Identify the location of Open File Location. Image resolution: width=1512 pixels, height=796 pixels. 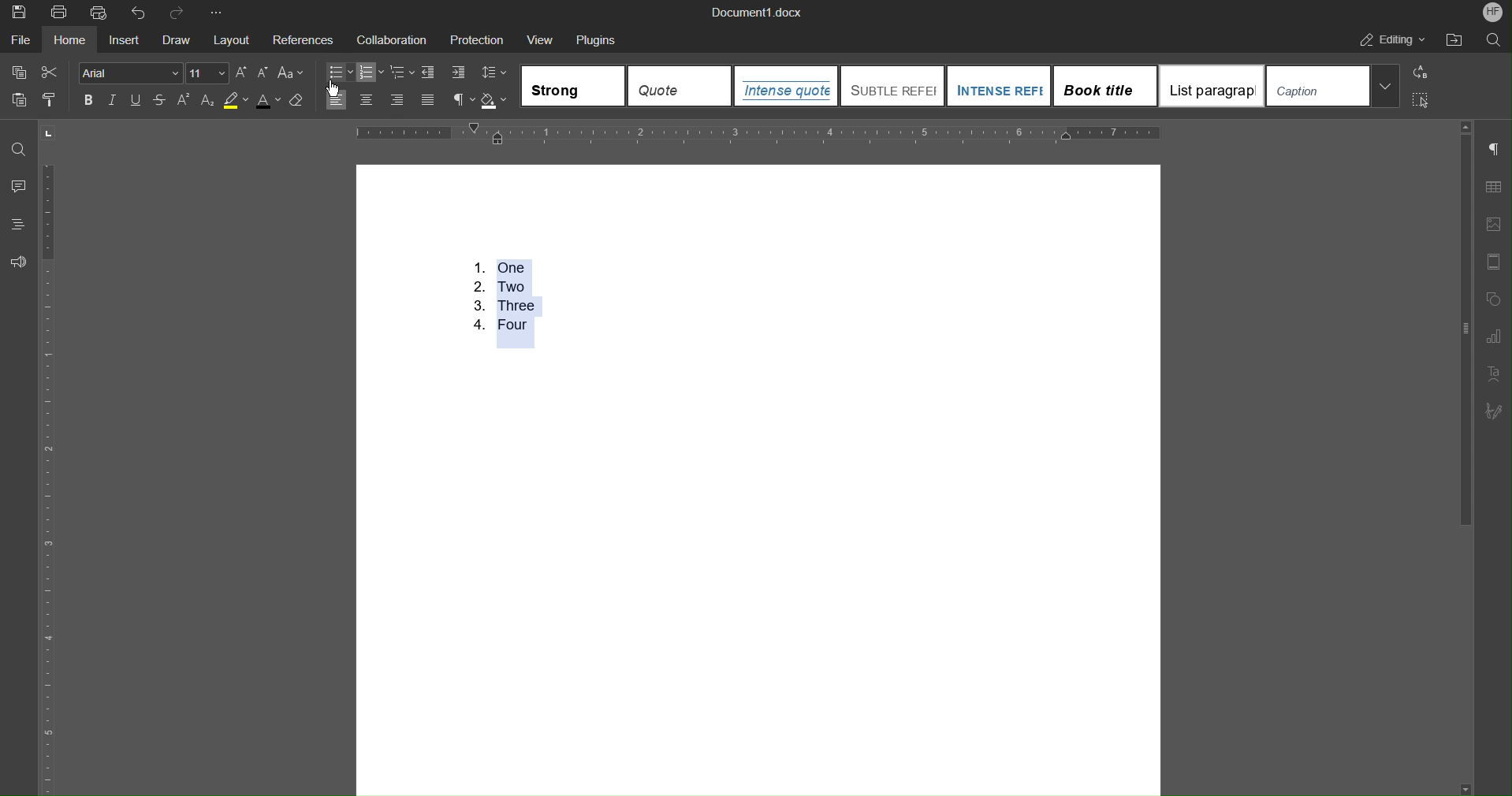
(1453, 38).